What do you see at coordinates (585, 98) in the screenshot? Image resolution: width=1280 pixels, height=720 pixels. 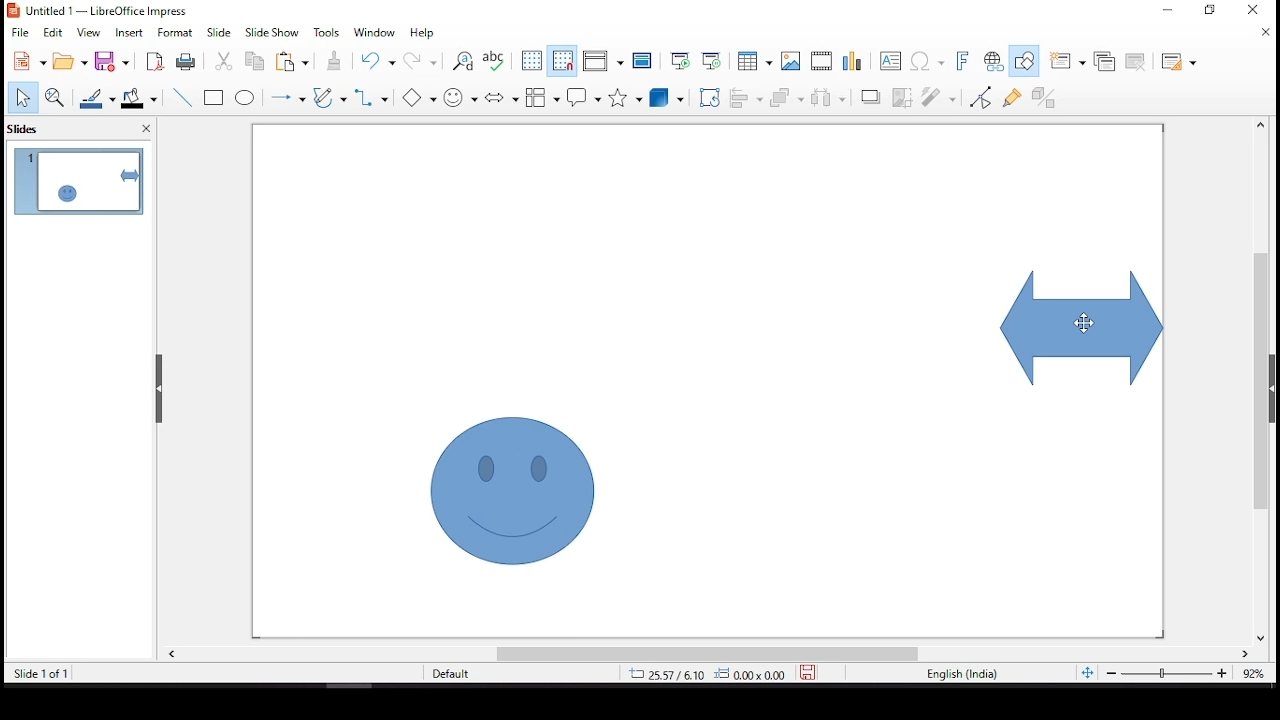 I see `callout shapes` at bounding box center [585, 98].